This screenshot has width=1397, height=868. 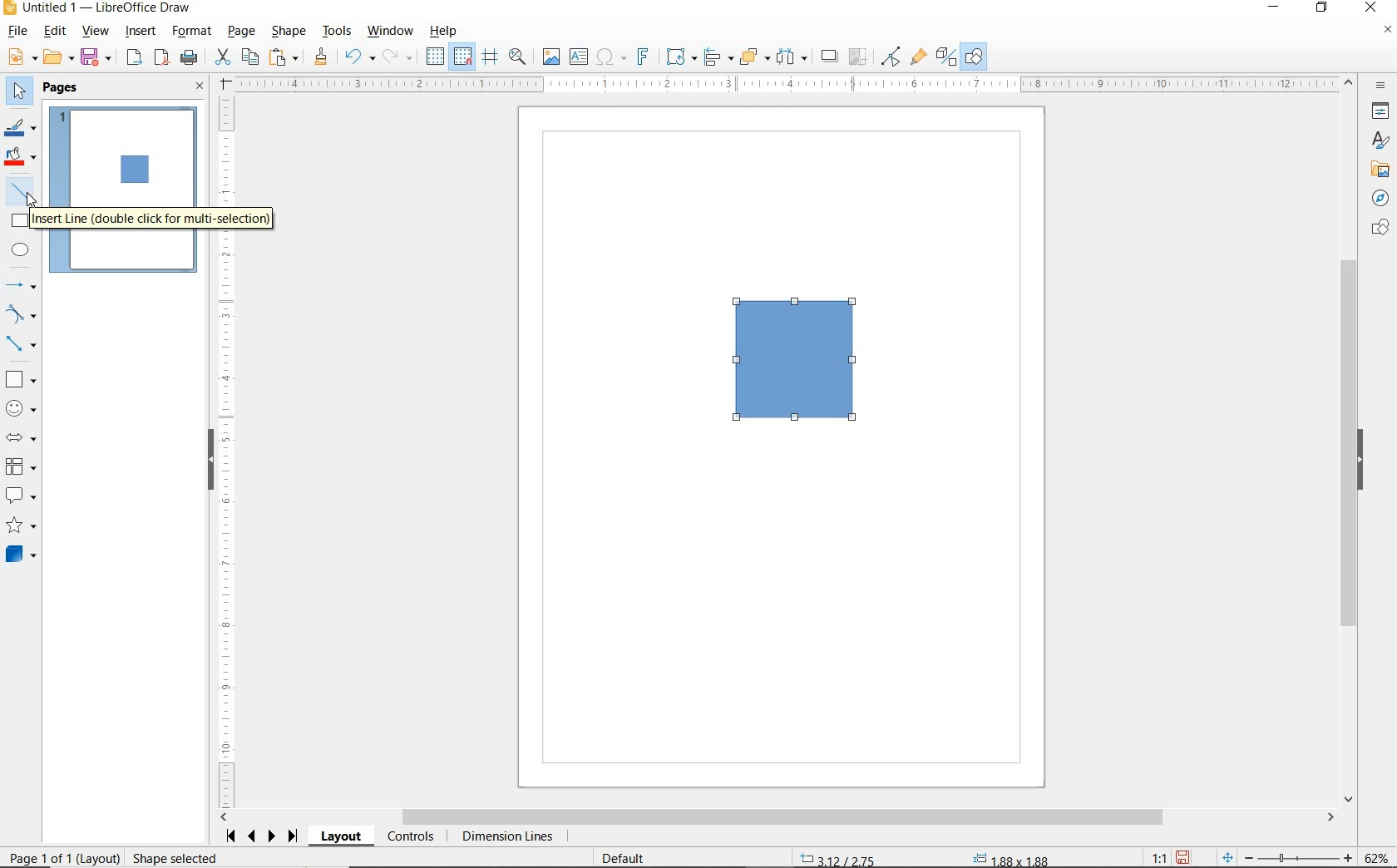 What do you see at coordinates (200, 87) in the screenshot?
I see `CLOSE` at bounding box center [200, 87].